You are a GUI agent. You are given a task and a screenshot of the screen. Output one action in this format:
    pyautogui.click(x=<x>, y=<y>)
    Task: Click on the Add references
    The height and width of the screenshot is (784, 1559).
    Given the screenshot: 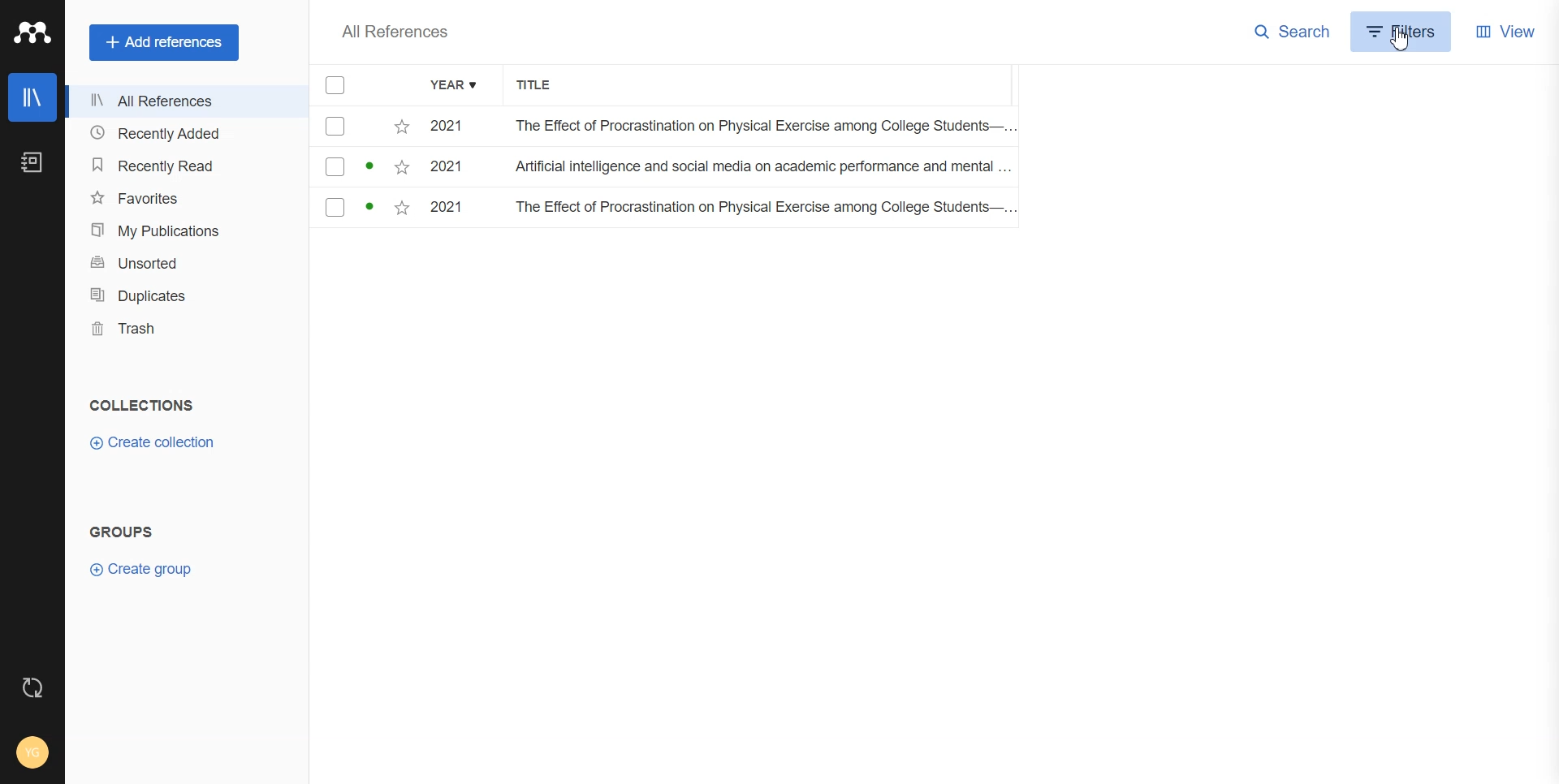 What is the action you would take?
    pyautogui.click(x=166, y=42)
    